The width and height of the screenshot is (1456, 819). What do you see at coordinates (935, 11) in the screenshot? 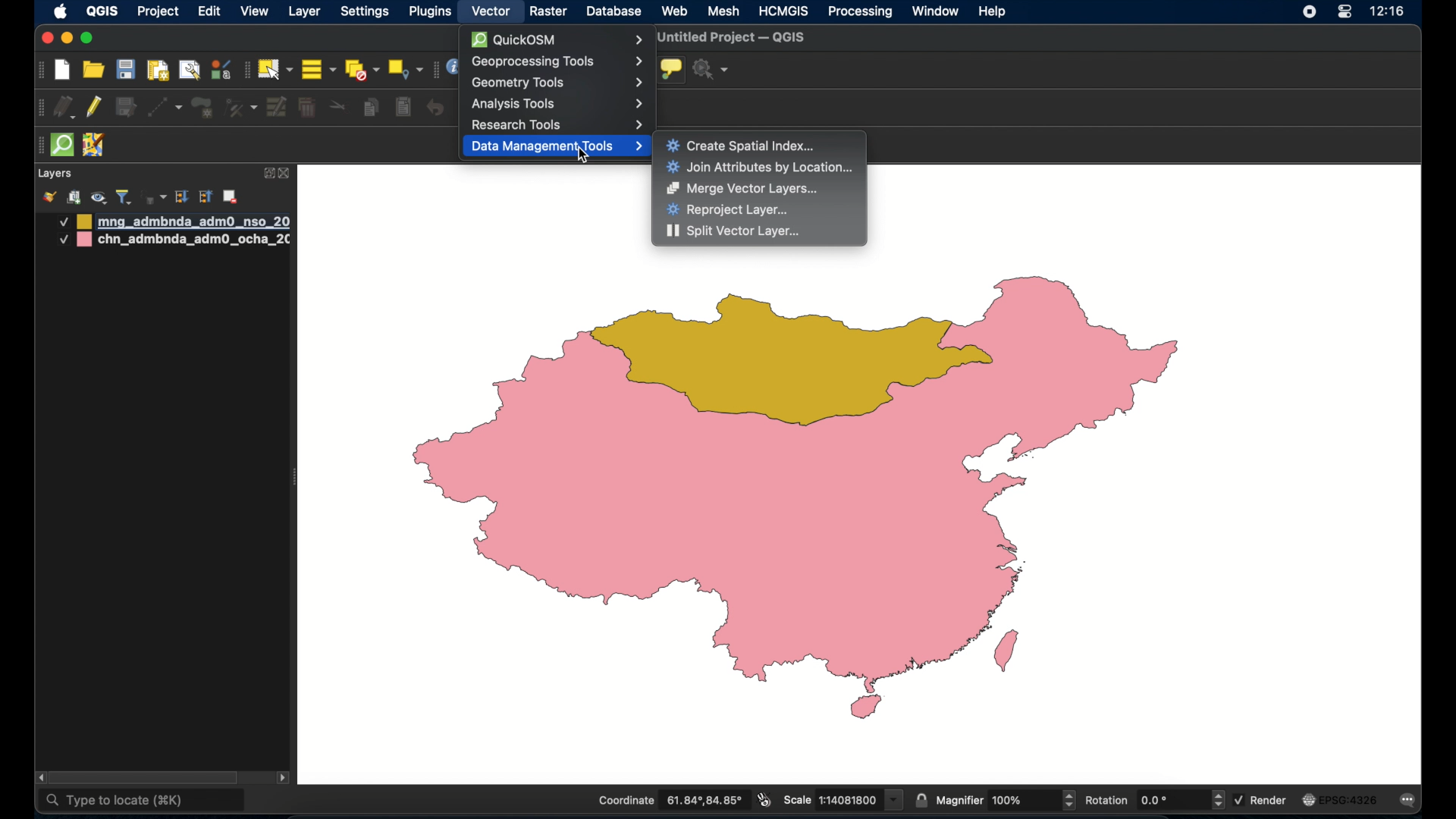
I see `window` at bounding box center [935, 11].